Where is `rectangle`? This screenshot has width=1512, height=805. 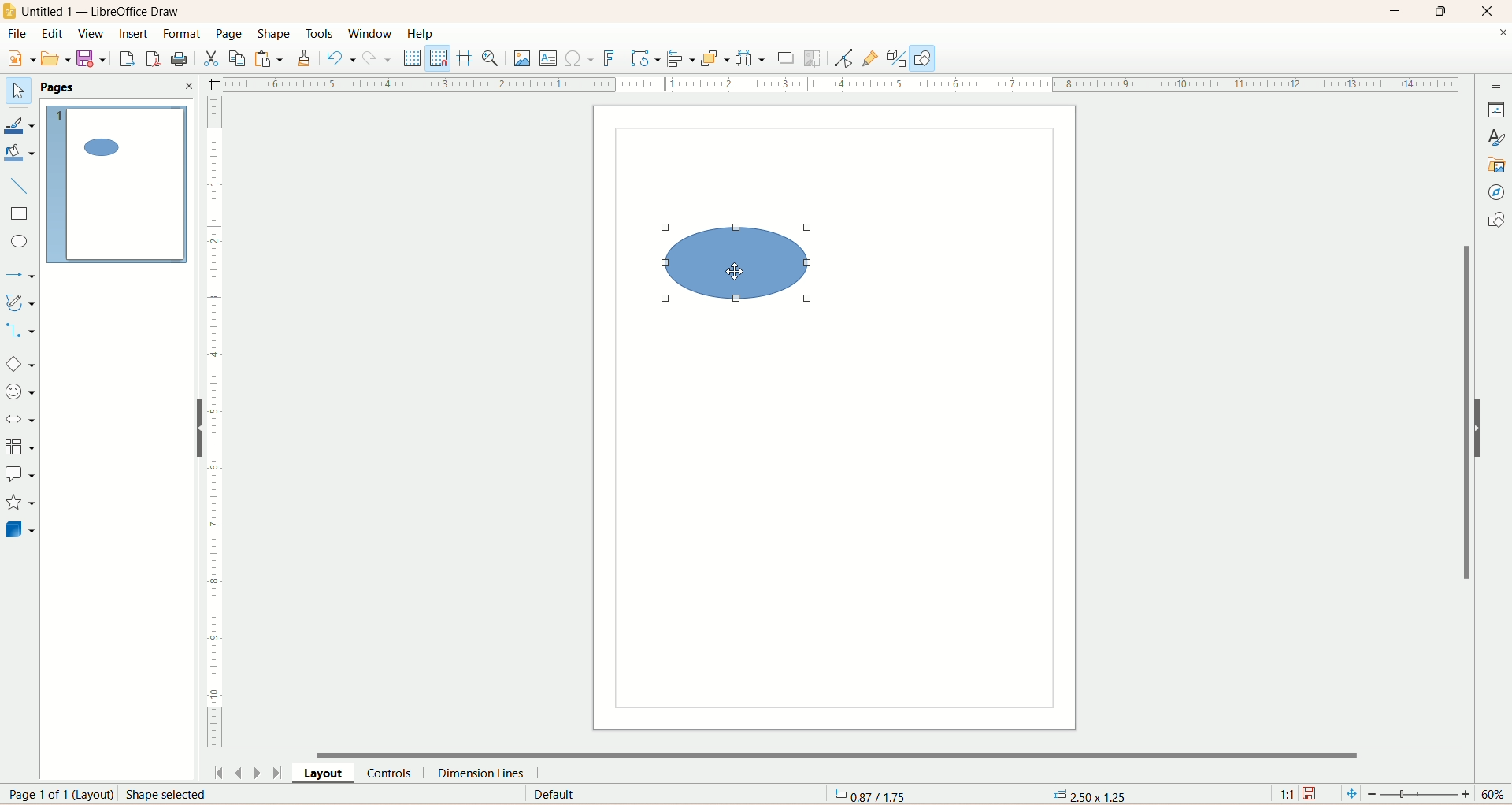
rectangle is located at coordinates (21, 213).